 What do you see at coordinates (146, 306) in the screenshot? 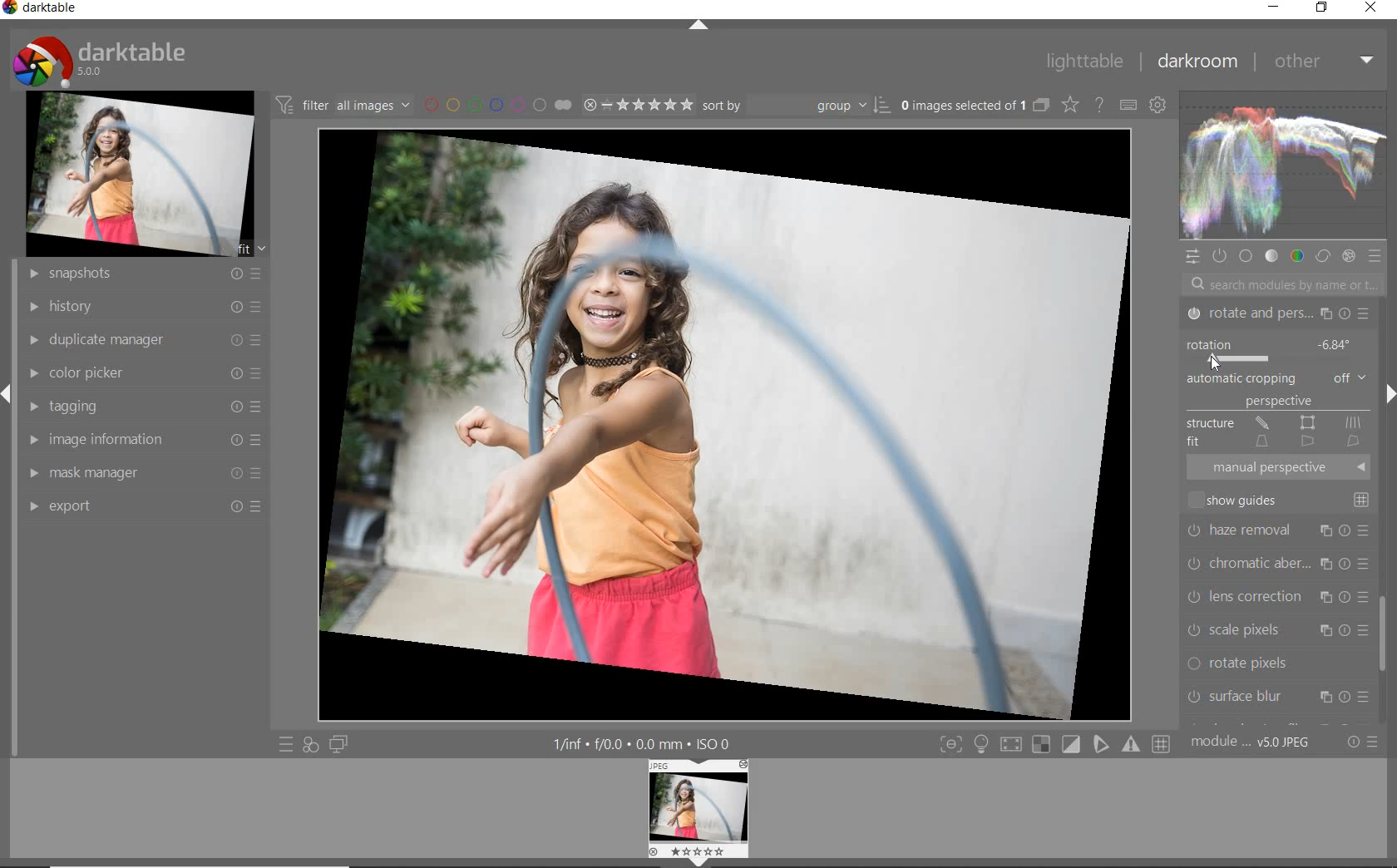
I see `history` at bounding box center [146, 306].